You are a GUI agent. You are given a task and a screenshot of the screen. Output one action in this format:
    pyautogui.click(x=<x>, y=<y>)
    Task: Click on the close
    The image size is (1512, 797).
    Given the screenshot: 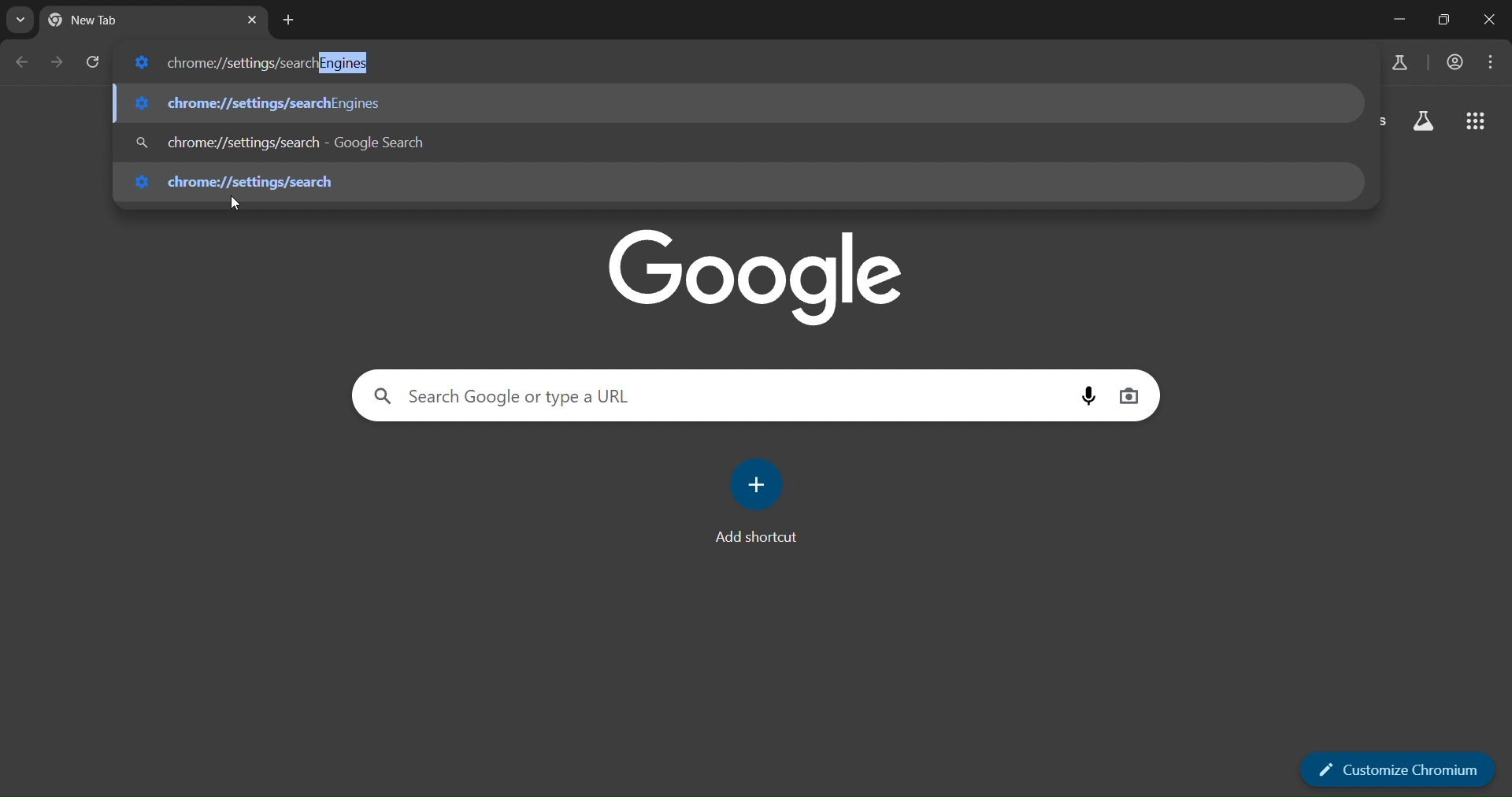 What is the action you would take?
    pyautogui.click(x=1492, y=19)
    